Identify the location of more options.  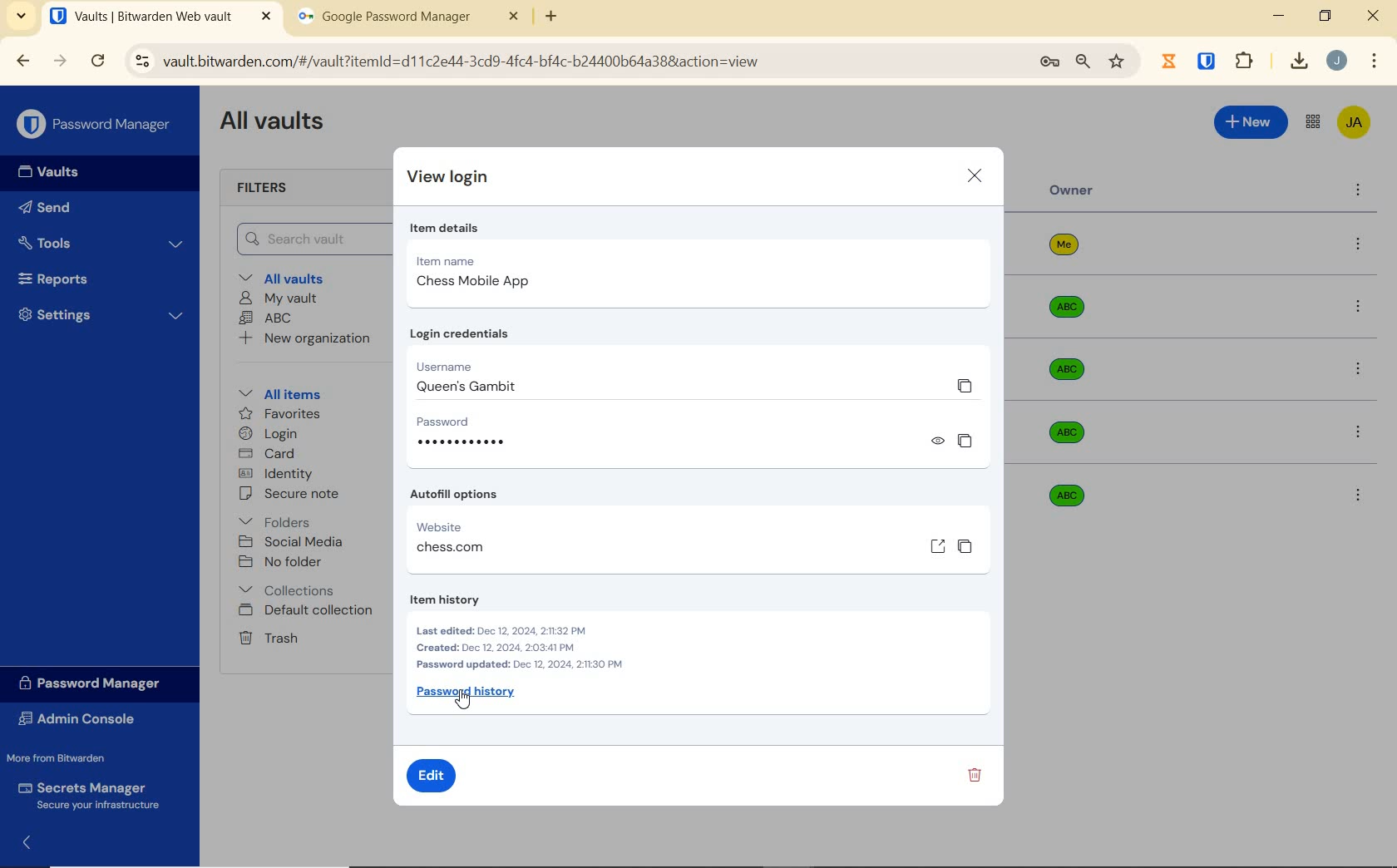
(1358, 245).